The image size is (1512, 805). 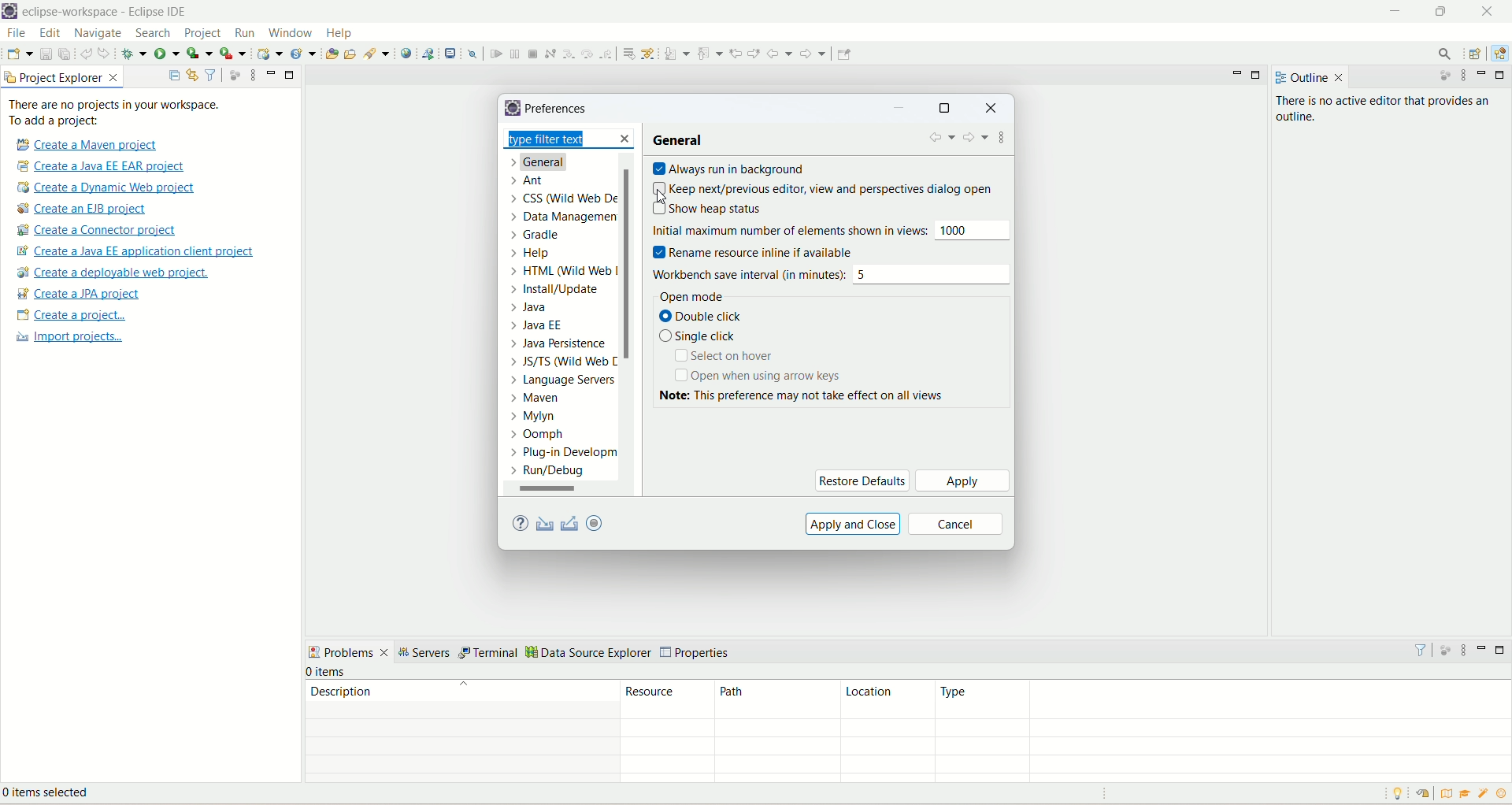 I want to click on run, so click(x=243, y=32).